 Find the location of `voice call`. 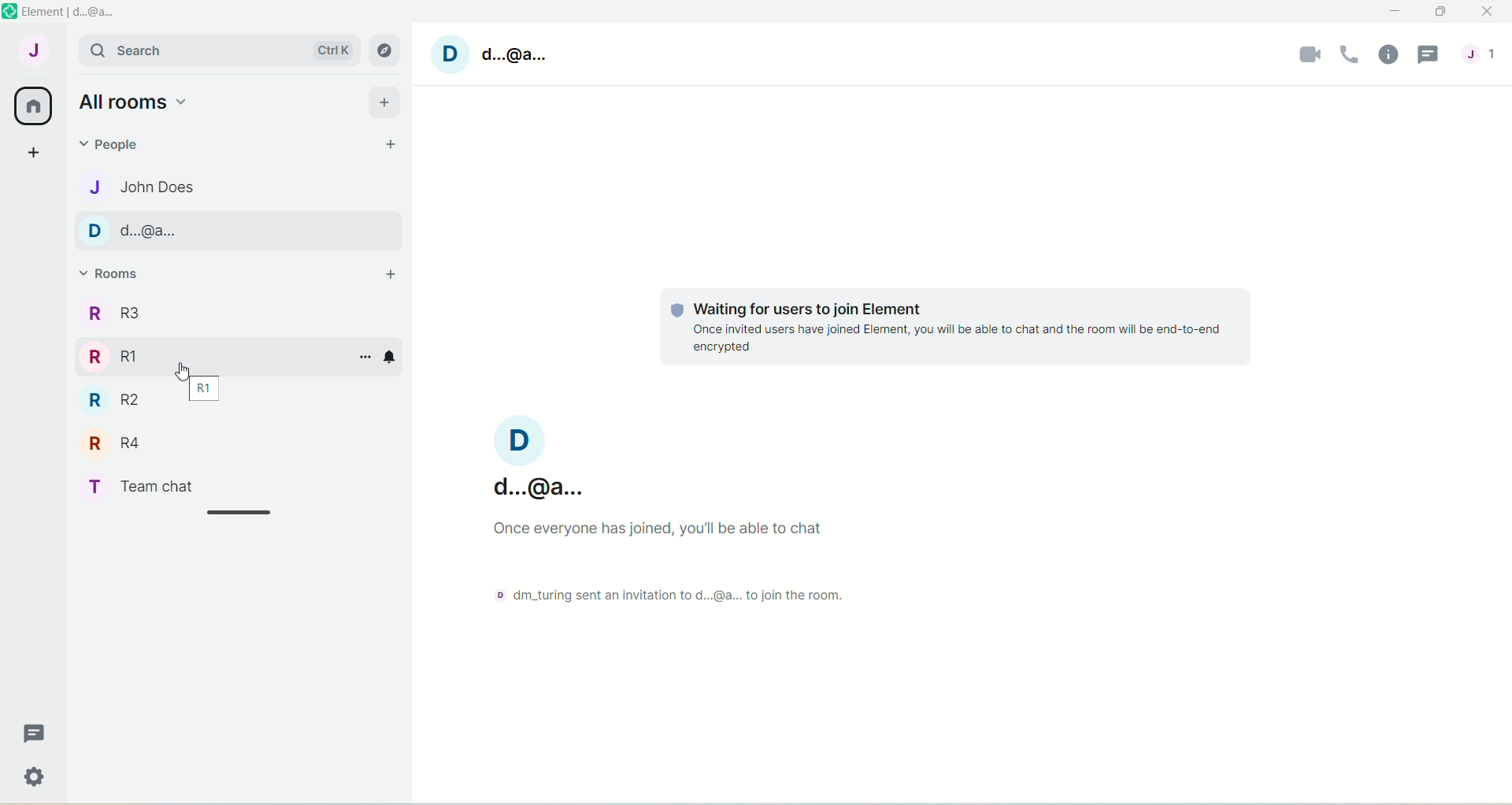

voice call is located at coordinates (1349, 56).